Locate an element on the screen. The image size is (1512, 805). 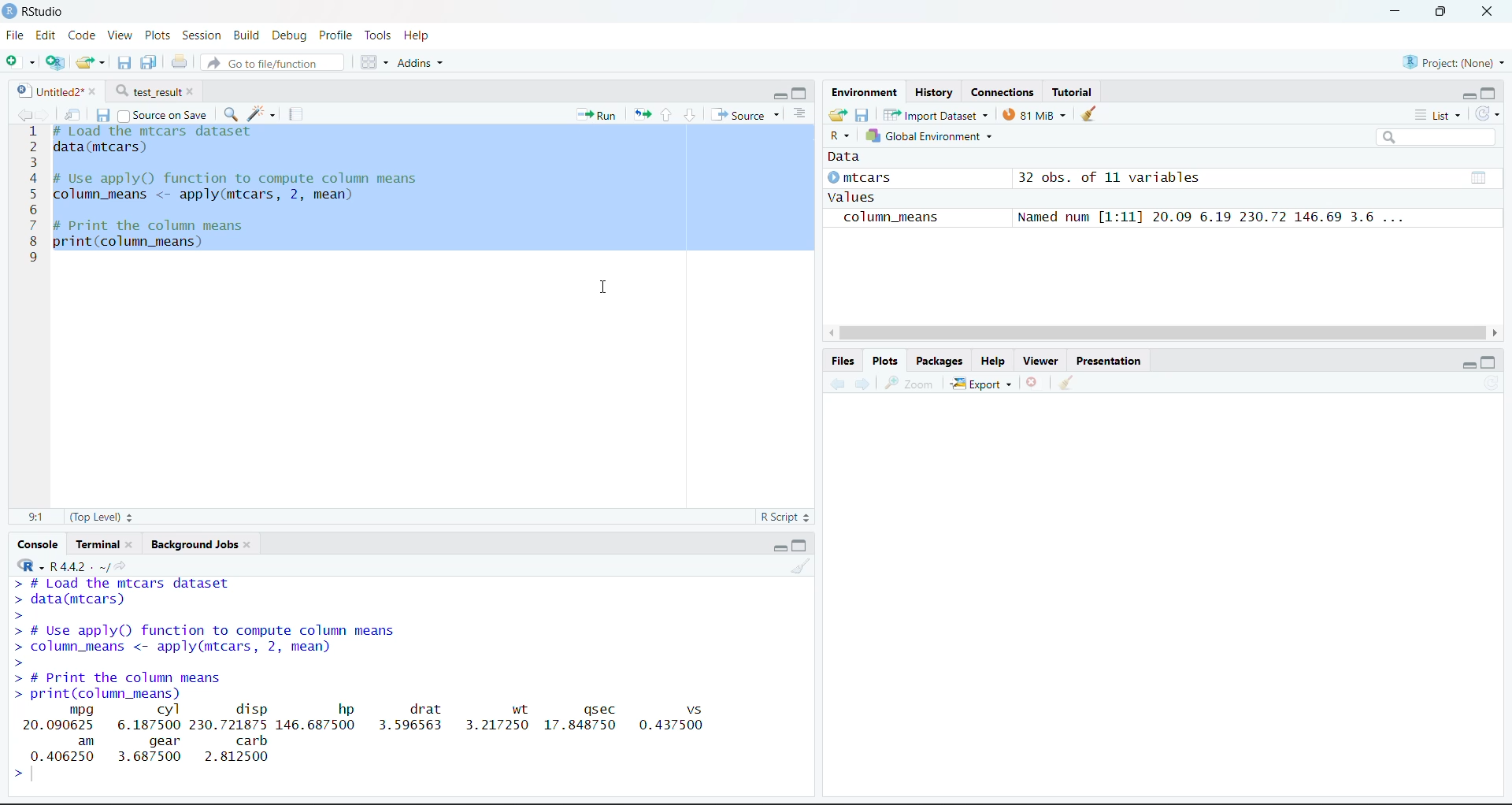
130kib used by R session (Source: Windows System) is located at coordinates (1038, 115).